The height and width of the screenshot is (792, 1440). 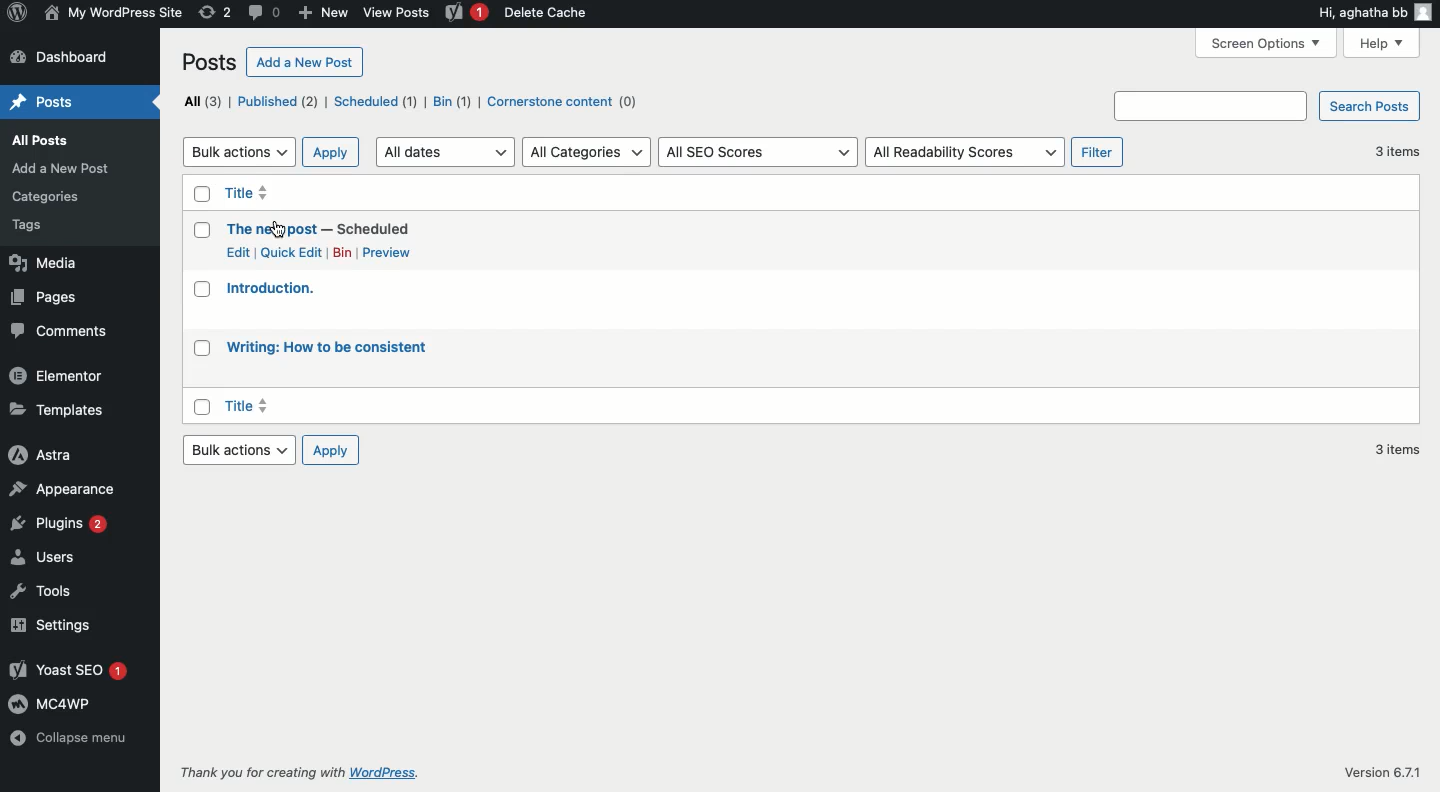 What do you see at coordinates (80, 57) in the screenshot?
I see `Dashboard` at bounding box center [80, 57].